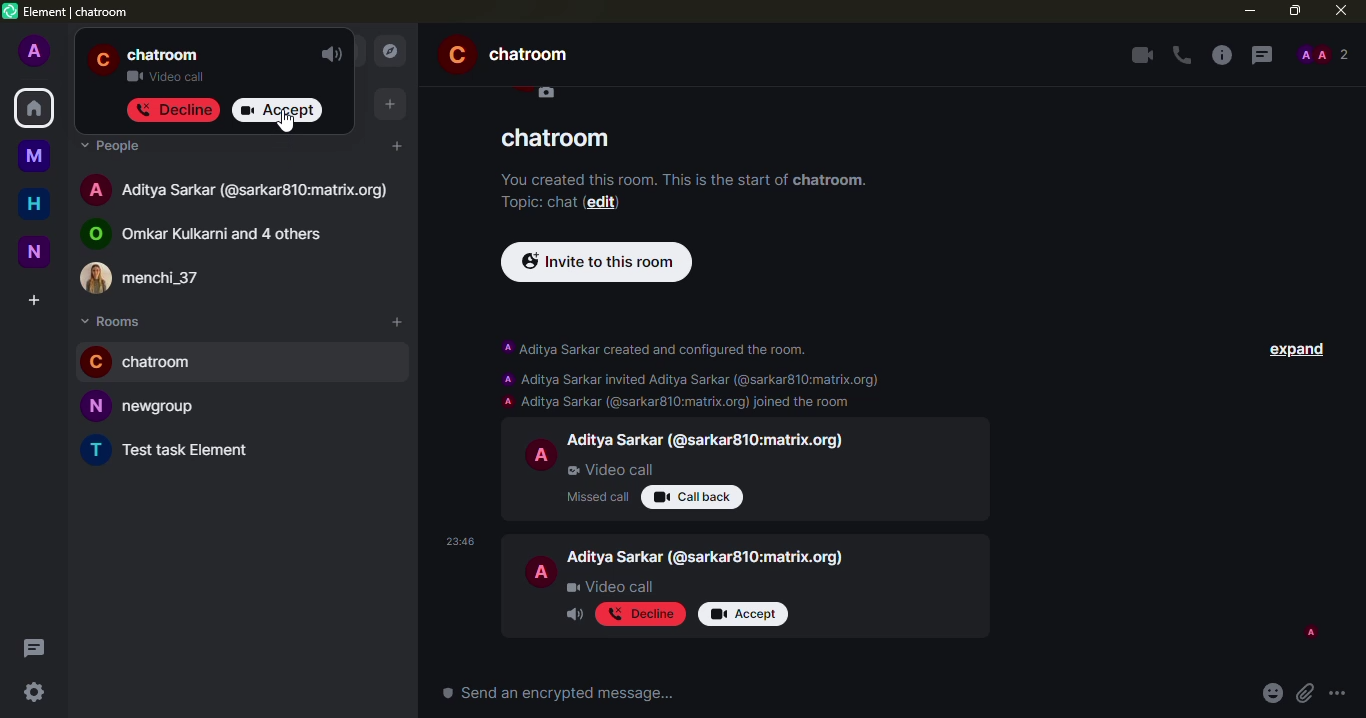 The image size is (1366, 718). Describe the element at coordinates (170, 75) in the screenshot. I see `video call` at that location.